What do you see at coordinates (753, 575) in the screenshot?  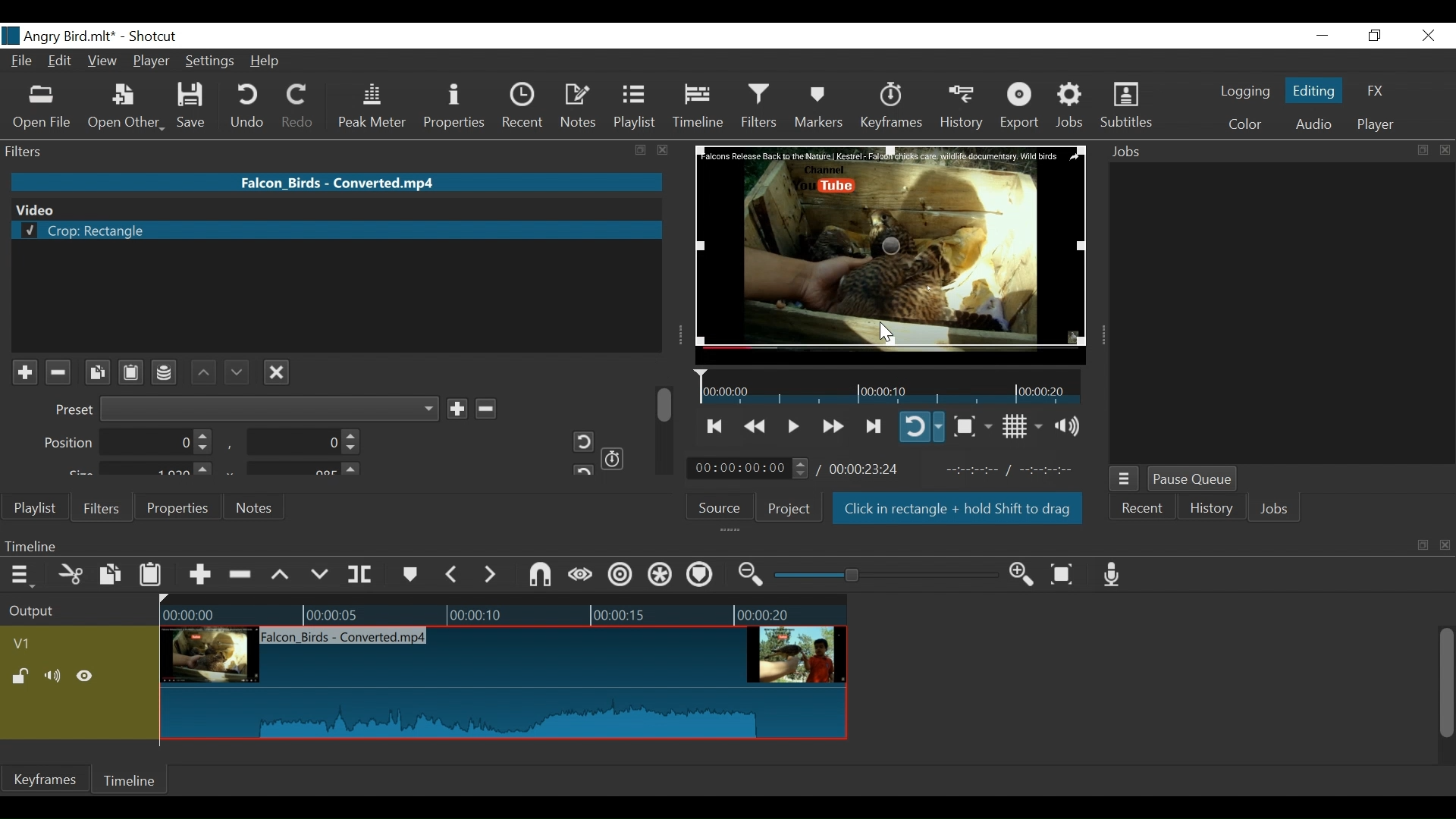 I see `Zoom timeline out` at bounding box center [753, 575].